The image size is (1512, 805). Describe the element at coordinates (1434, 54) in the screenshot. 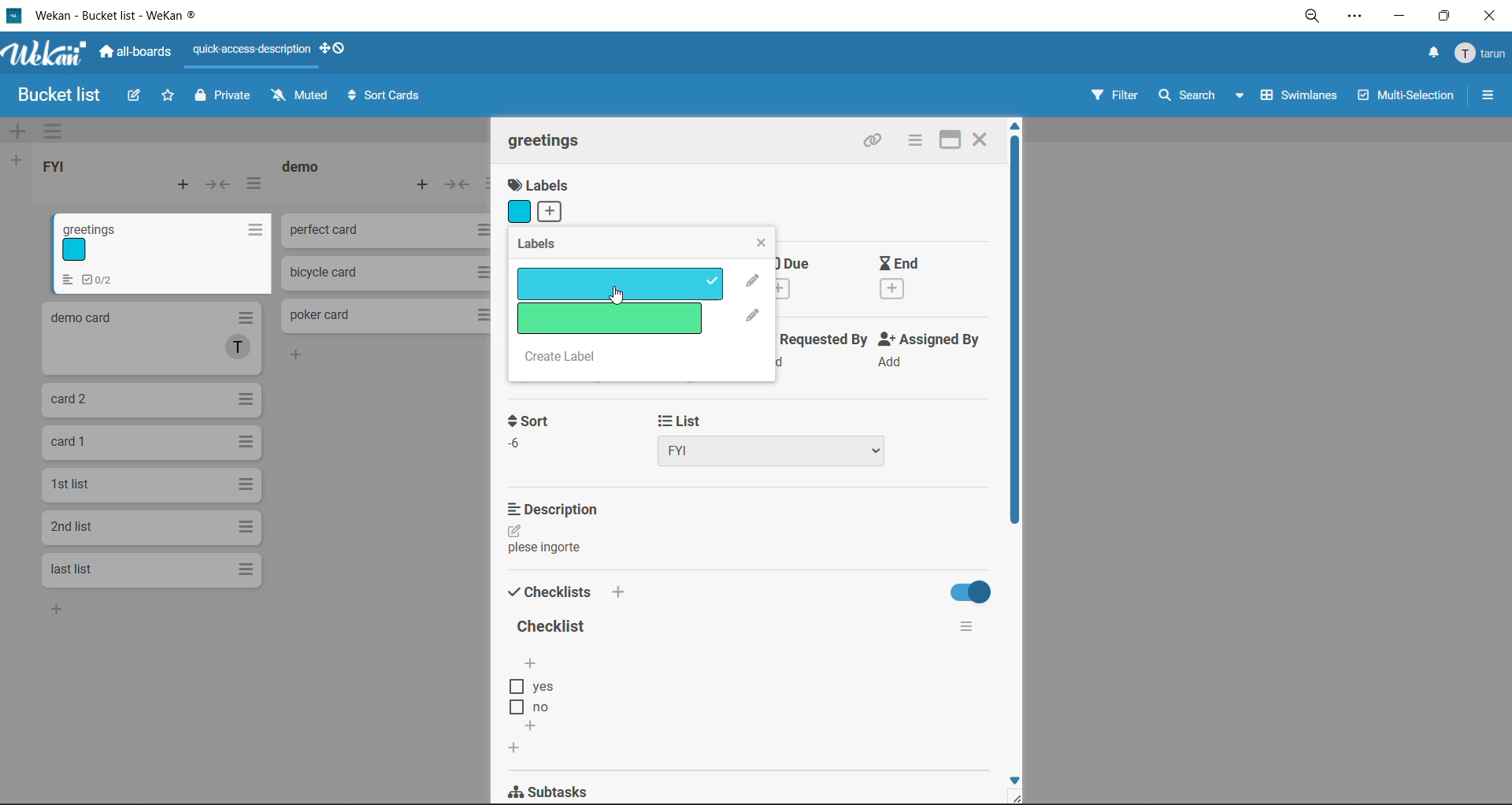

I see `notifications` at that location.